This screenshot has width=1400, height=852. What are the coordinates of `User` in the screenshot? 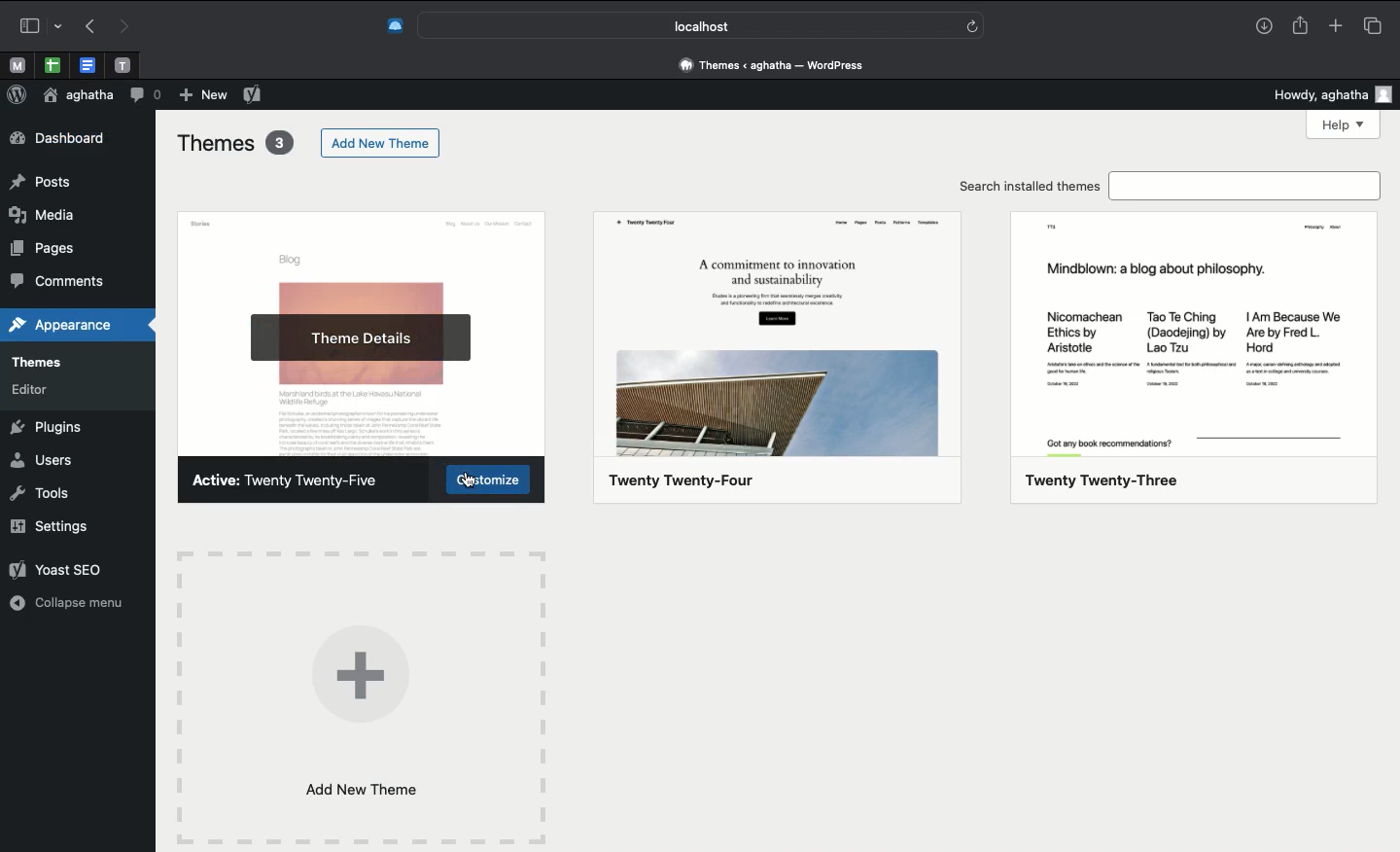 It's located at (78, 95).